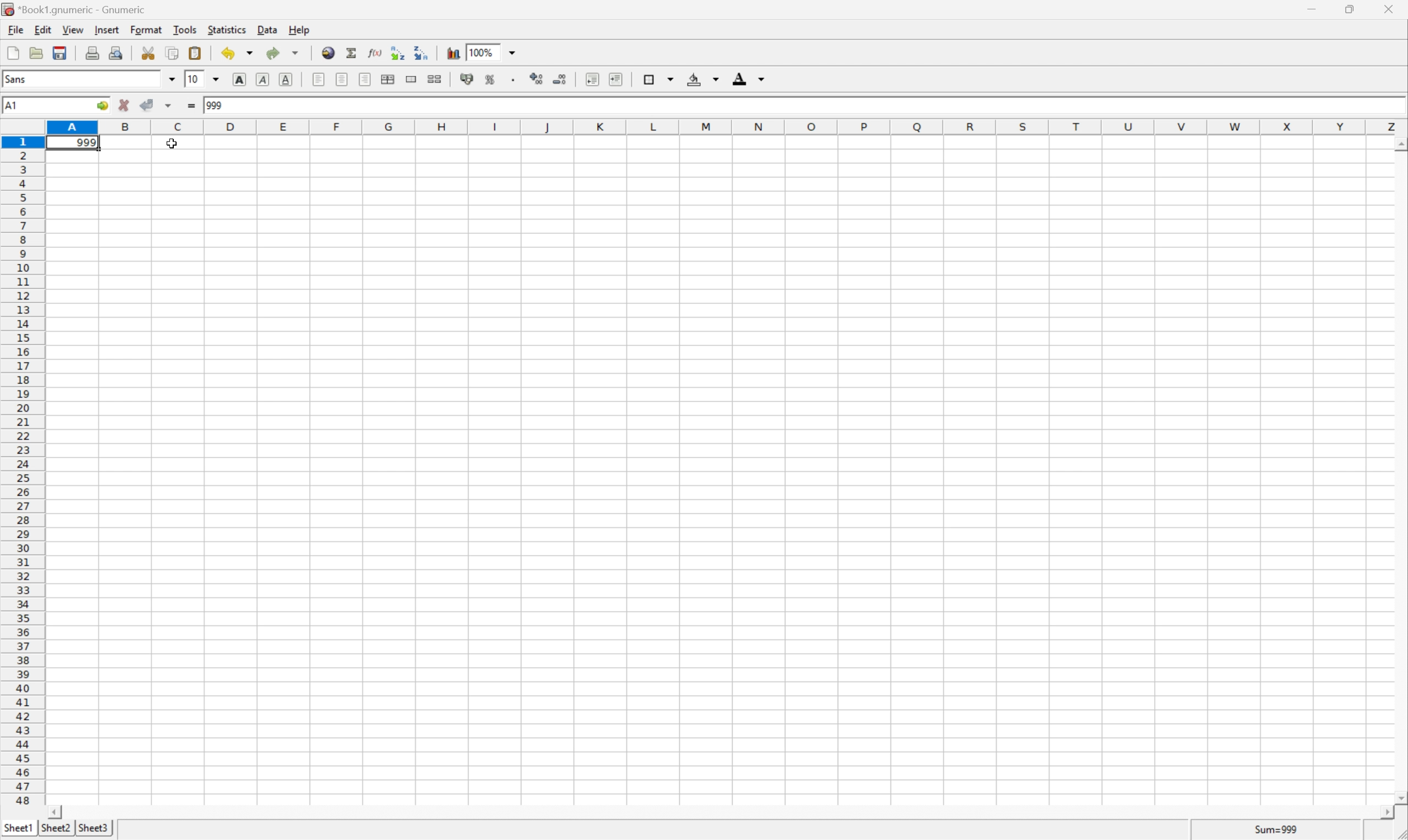  What do you see at coordinates (173, 51) in the screenshot?
I see `copy` at bounding box center [173, 51].